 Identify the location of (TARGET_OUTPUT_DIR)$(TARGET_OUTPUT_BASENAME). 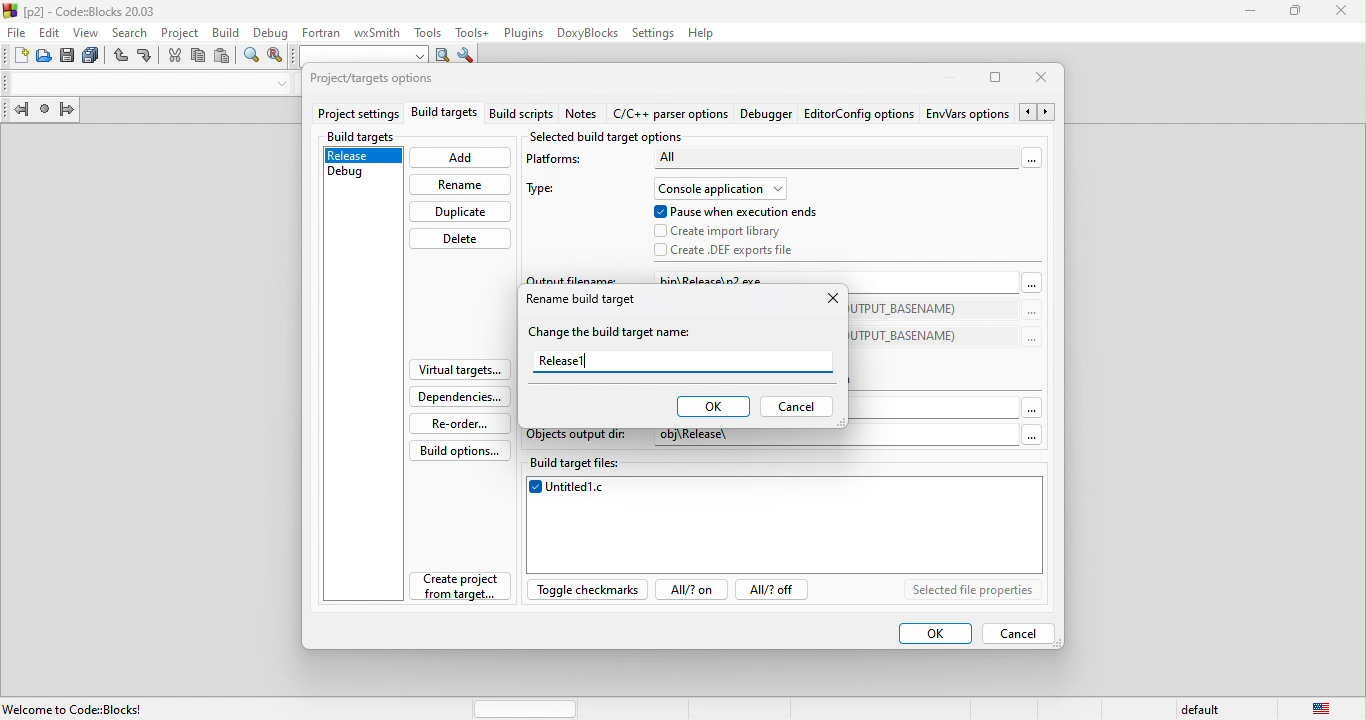
(910, 335).